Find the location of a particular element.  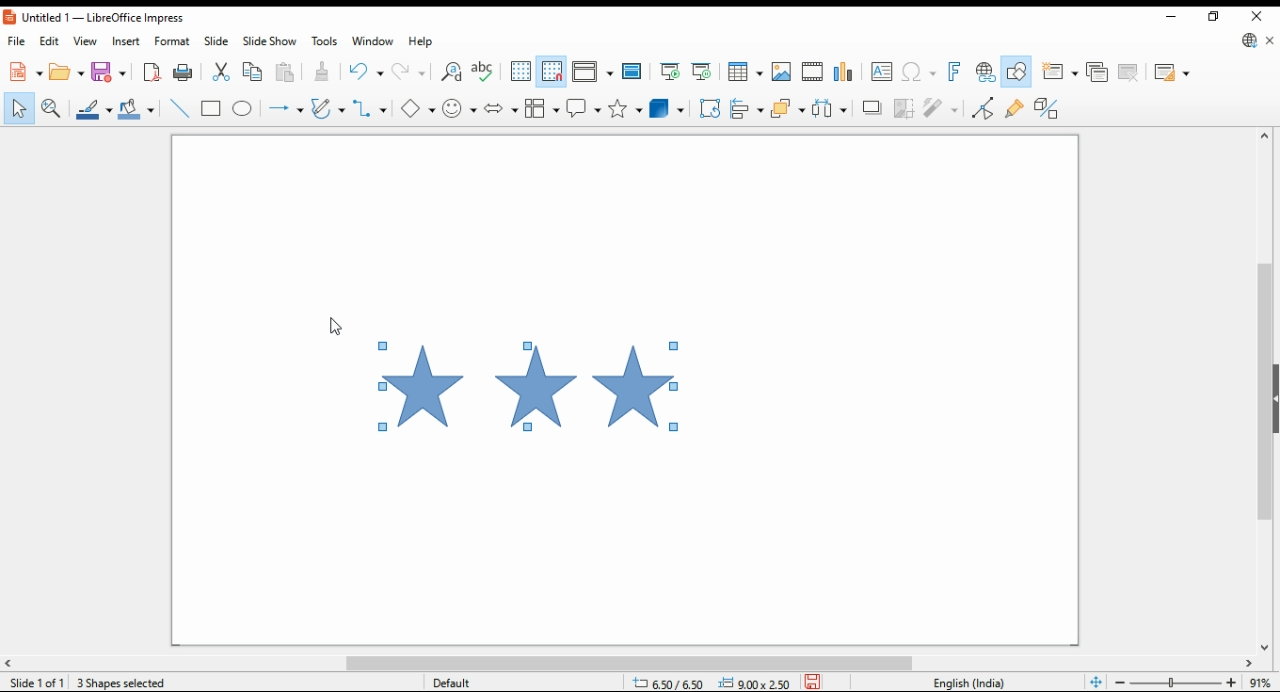

block arrows is located at coordinates (500, 107).